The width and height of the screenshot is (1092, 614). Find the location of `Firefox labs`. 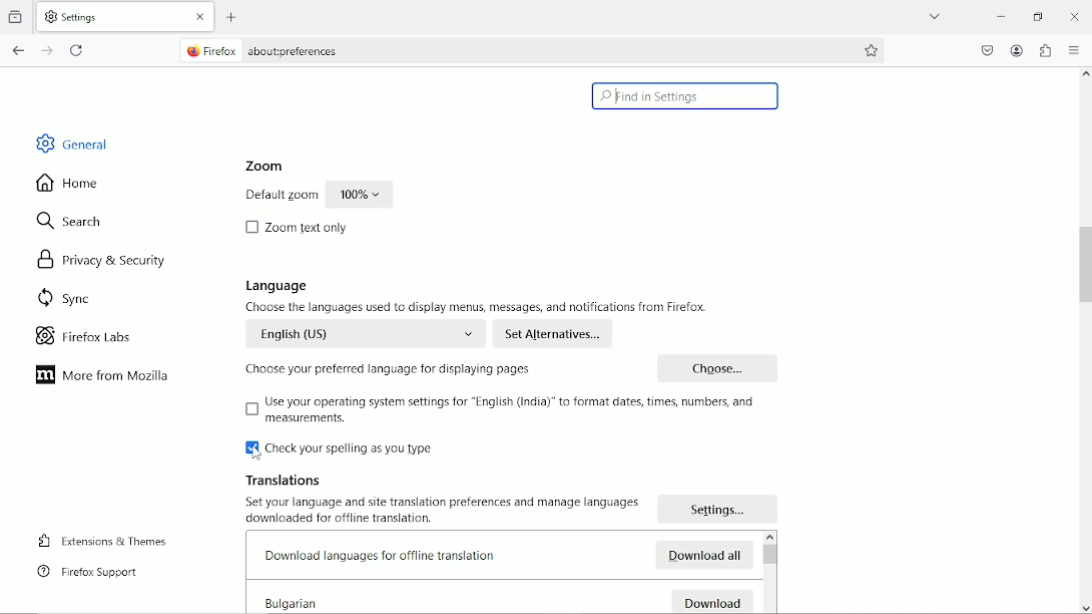

Firefox labs is located at coordinates (83, 335).